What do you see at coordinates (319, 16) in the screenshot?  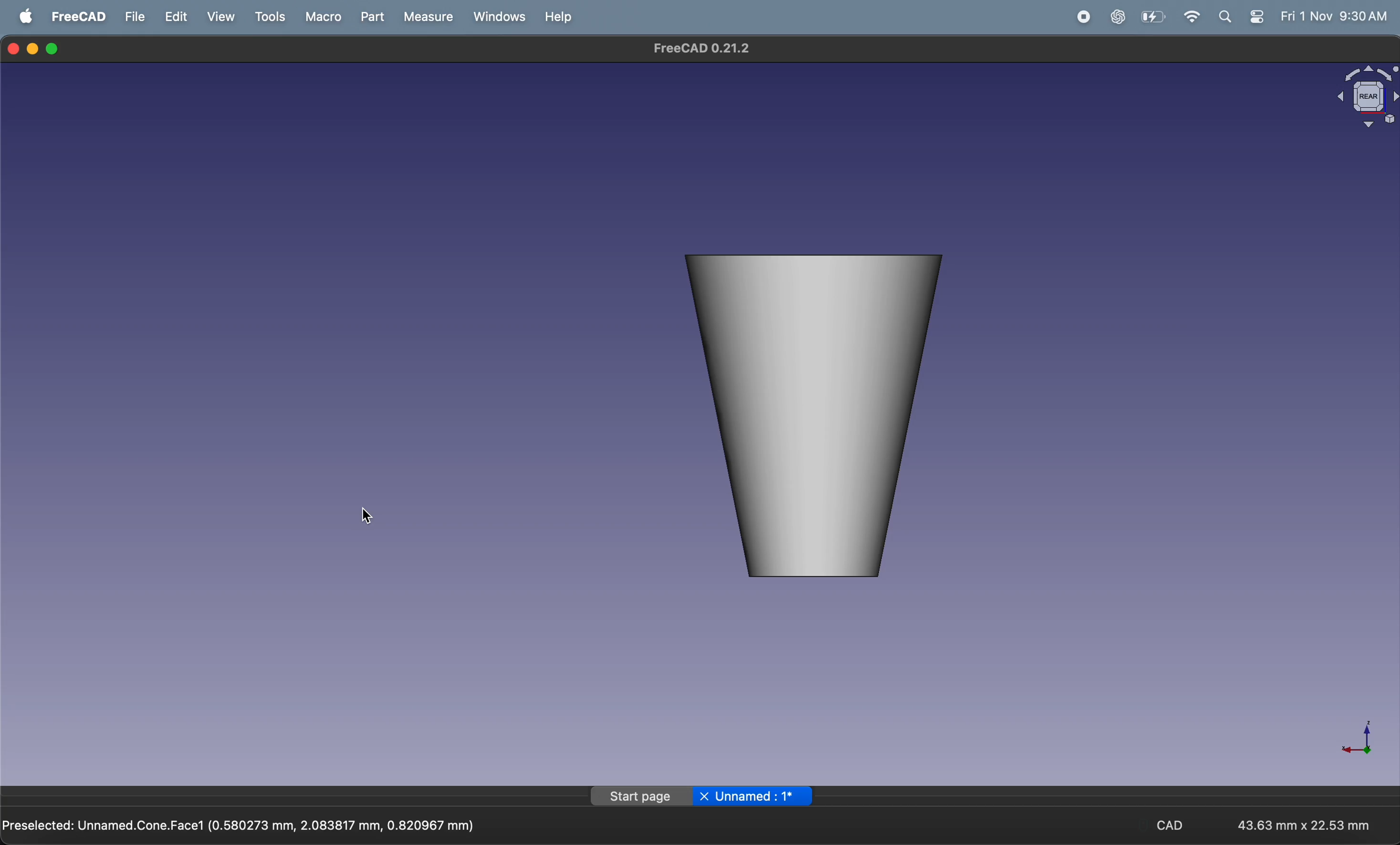 I see `marco` at bounding box center [319, 16].